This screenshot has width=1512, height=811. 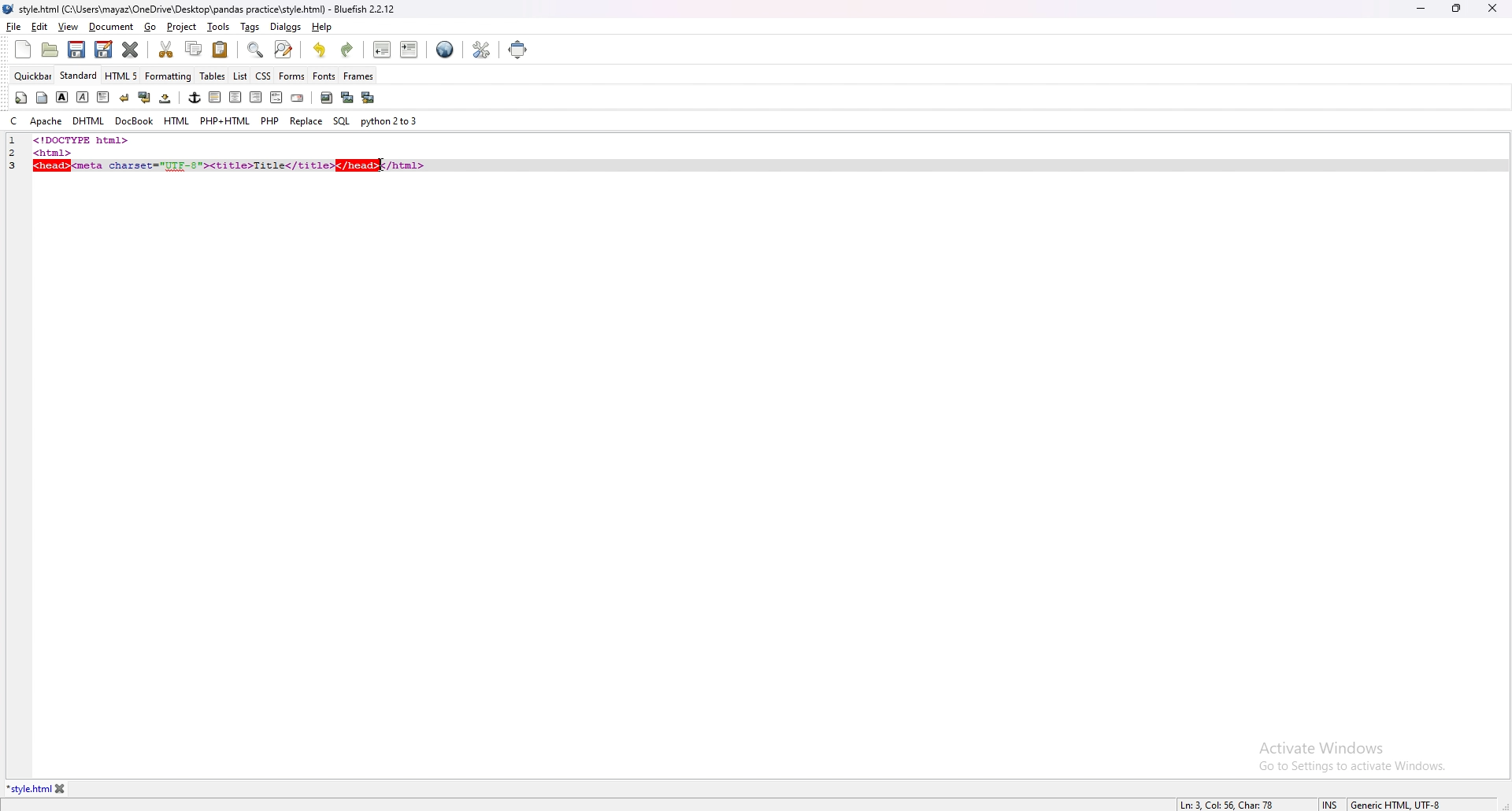 I want to click on document, so click(x=112, y=28).